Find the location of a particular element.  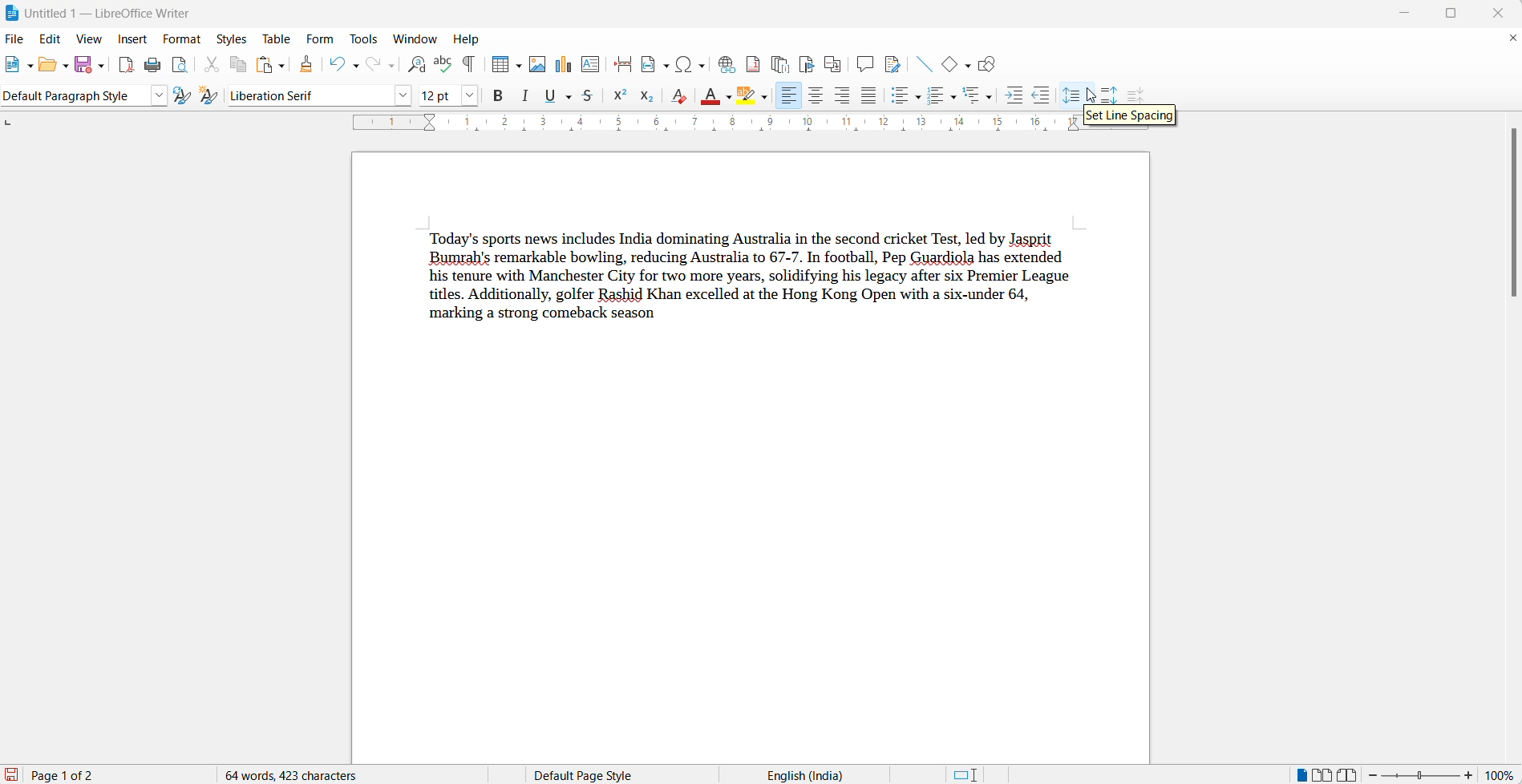

insert table is located at coordinates (497, 64).